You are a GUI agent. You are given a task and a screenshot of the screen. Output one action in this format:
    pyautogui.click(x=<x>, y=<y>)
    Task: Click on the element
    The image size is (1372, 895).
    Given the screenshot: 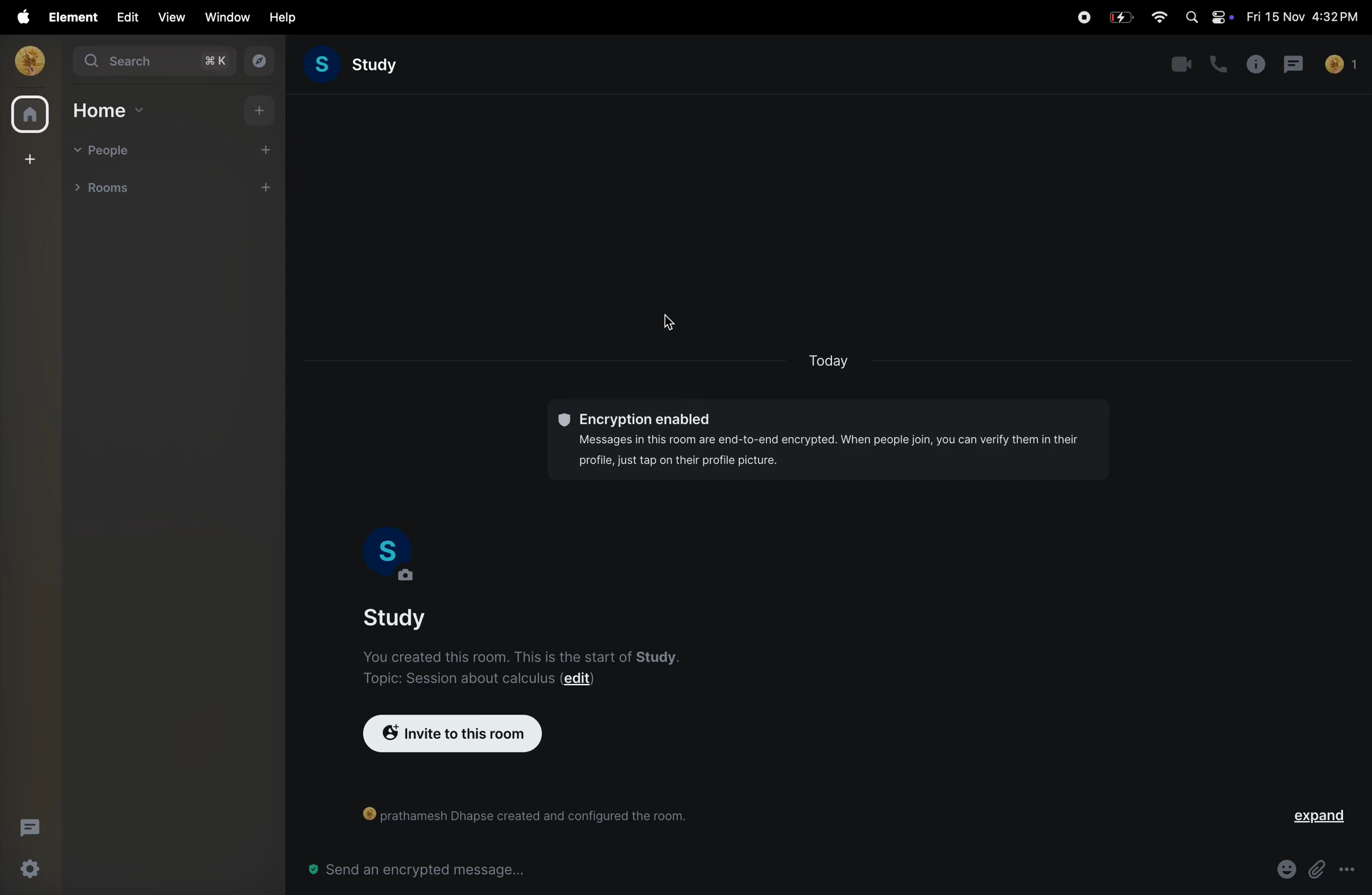 What is the action you would take?
    pyautogui.click(x=68, y=17)
    